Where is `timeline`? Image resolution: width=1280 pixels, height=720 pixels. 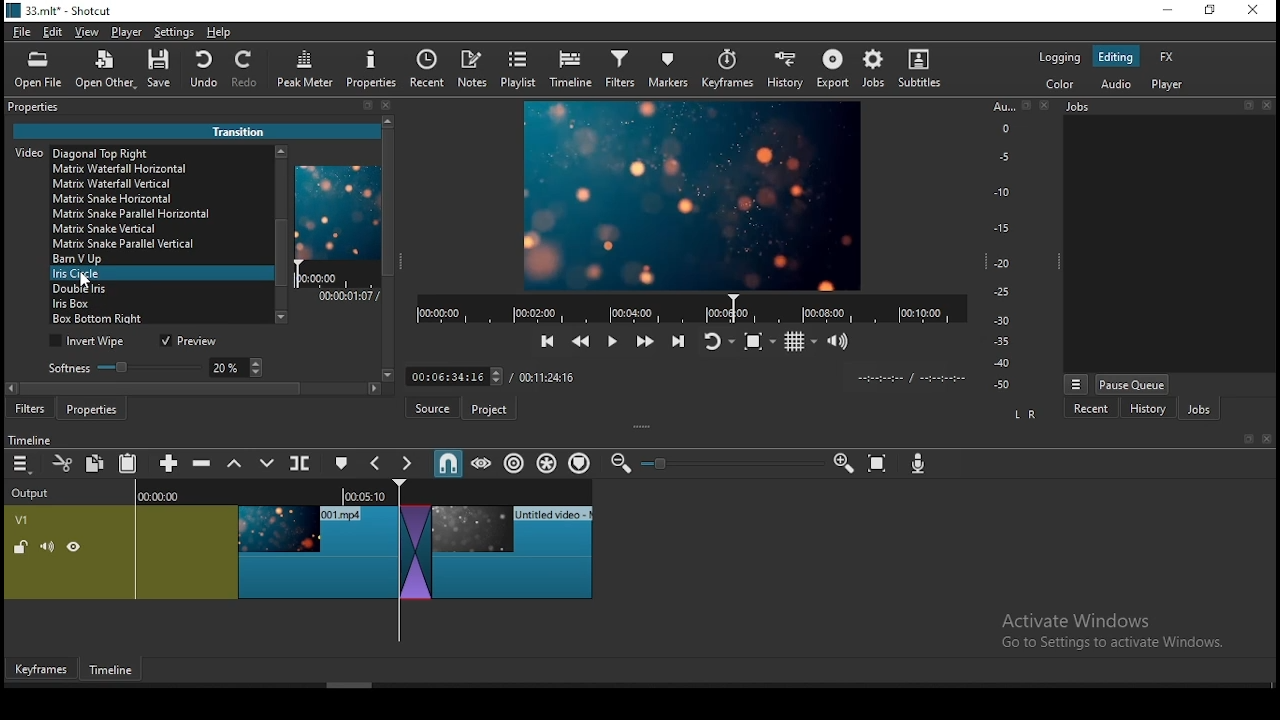 timeline is located at coordinates (571, 70).